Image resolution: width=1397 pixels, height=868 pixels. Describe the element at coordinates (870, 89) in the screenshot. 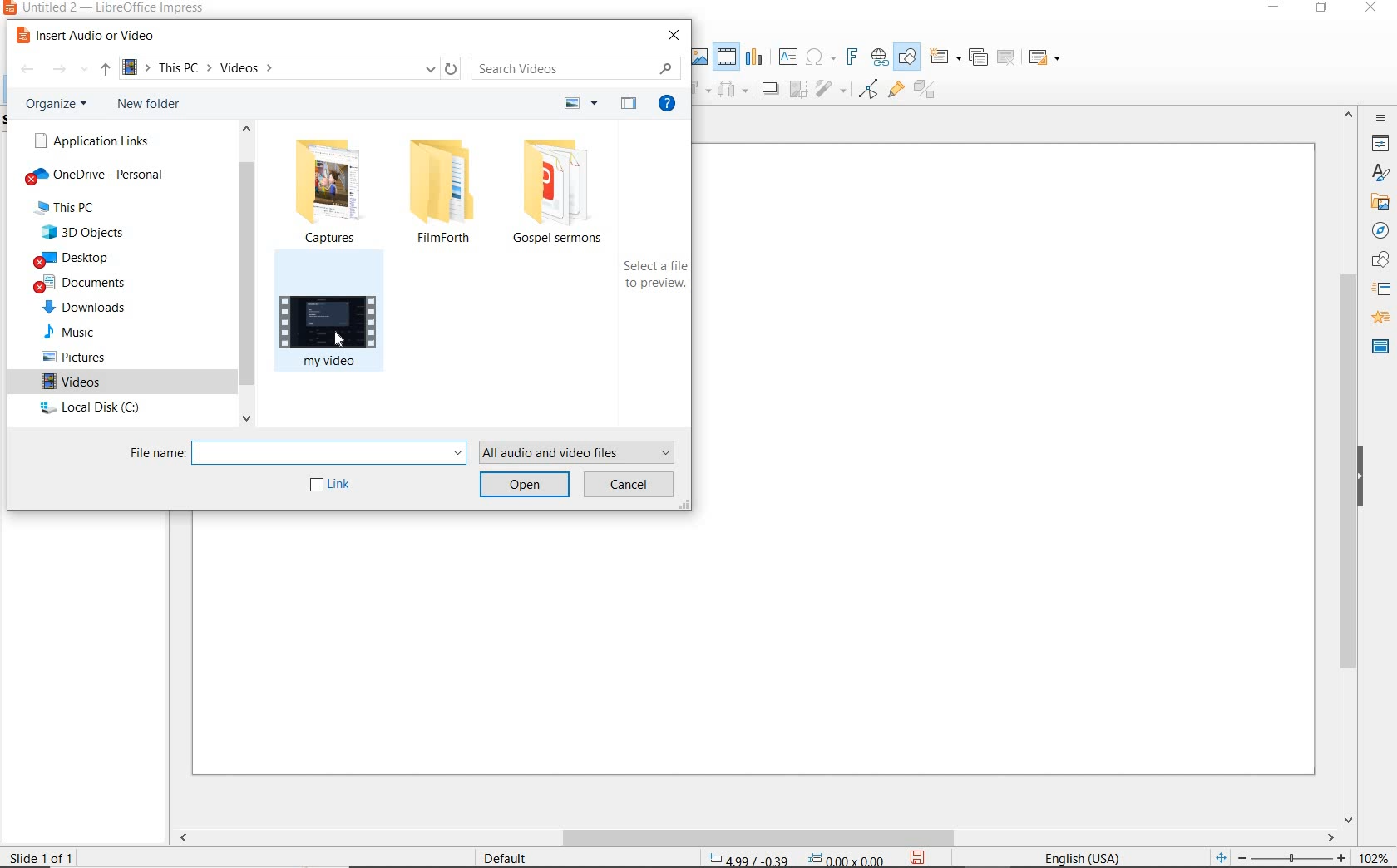

I see `TOGGLE POINT EDIT MODE` at that location.